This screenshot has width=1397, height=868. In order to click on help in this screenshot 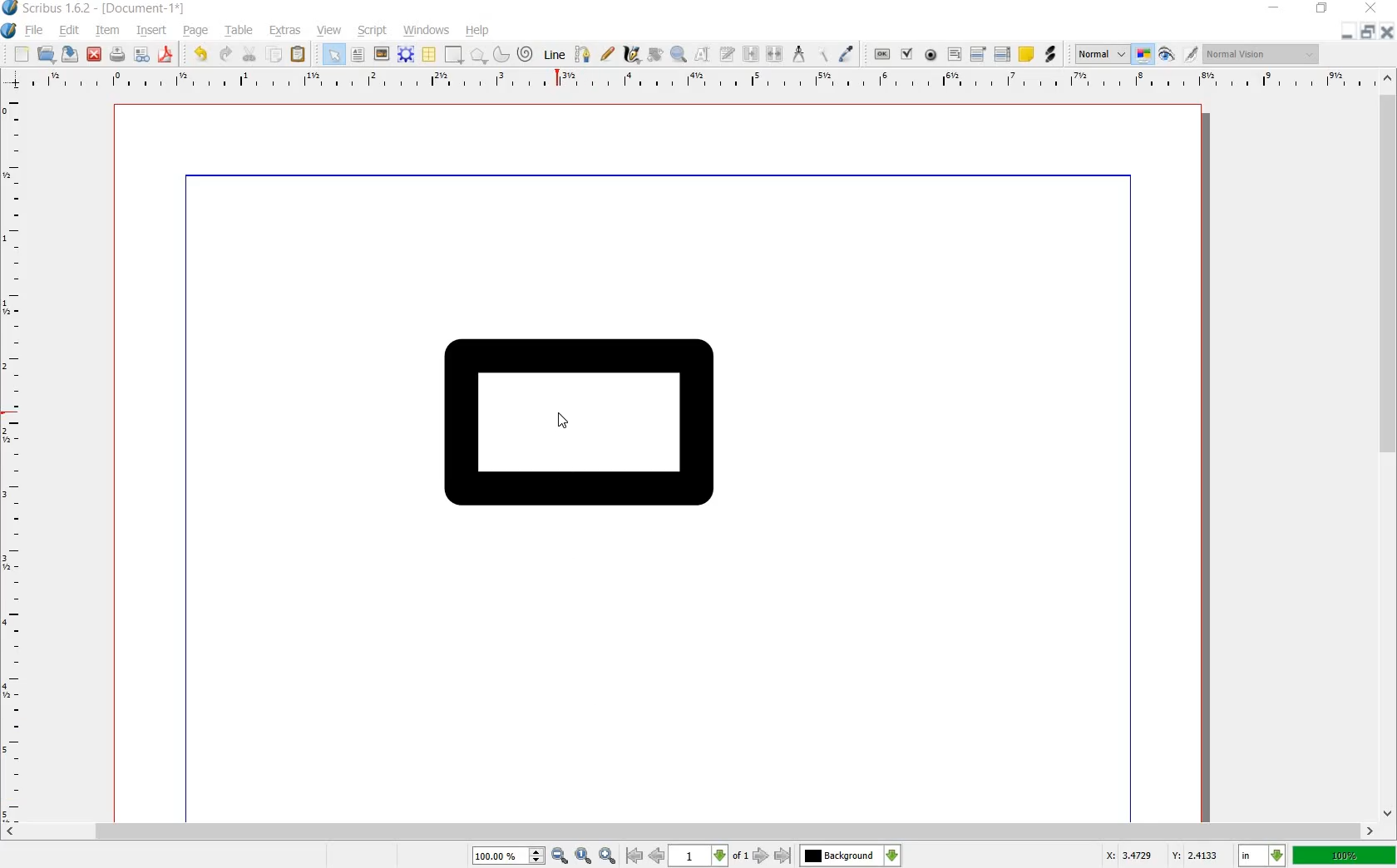, I will do `click(478, 32)`.